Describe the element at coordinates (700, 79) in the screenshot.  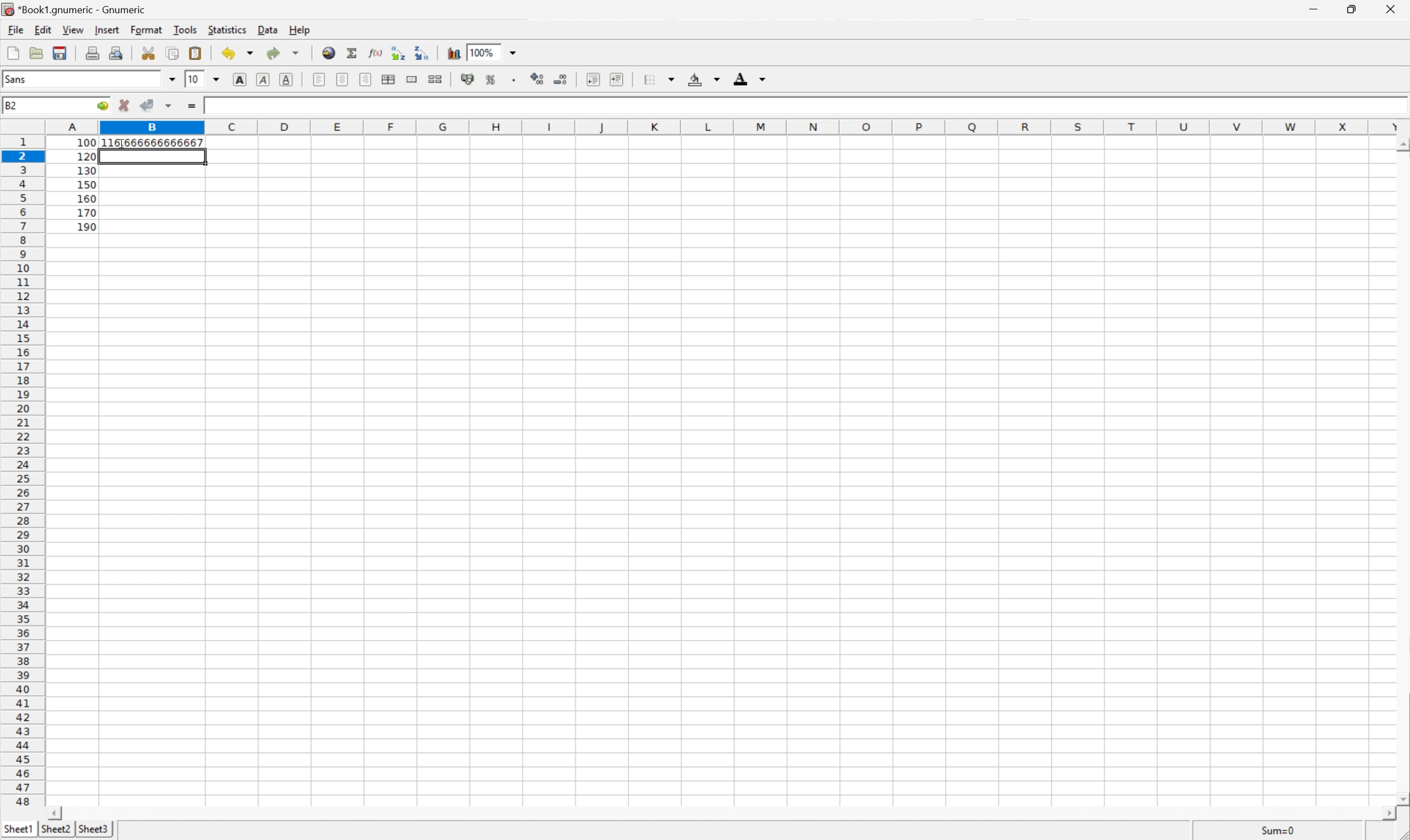
I see `Background` at that location.